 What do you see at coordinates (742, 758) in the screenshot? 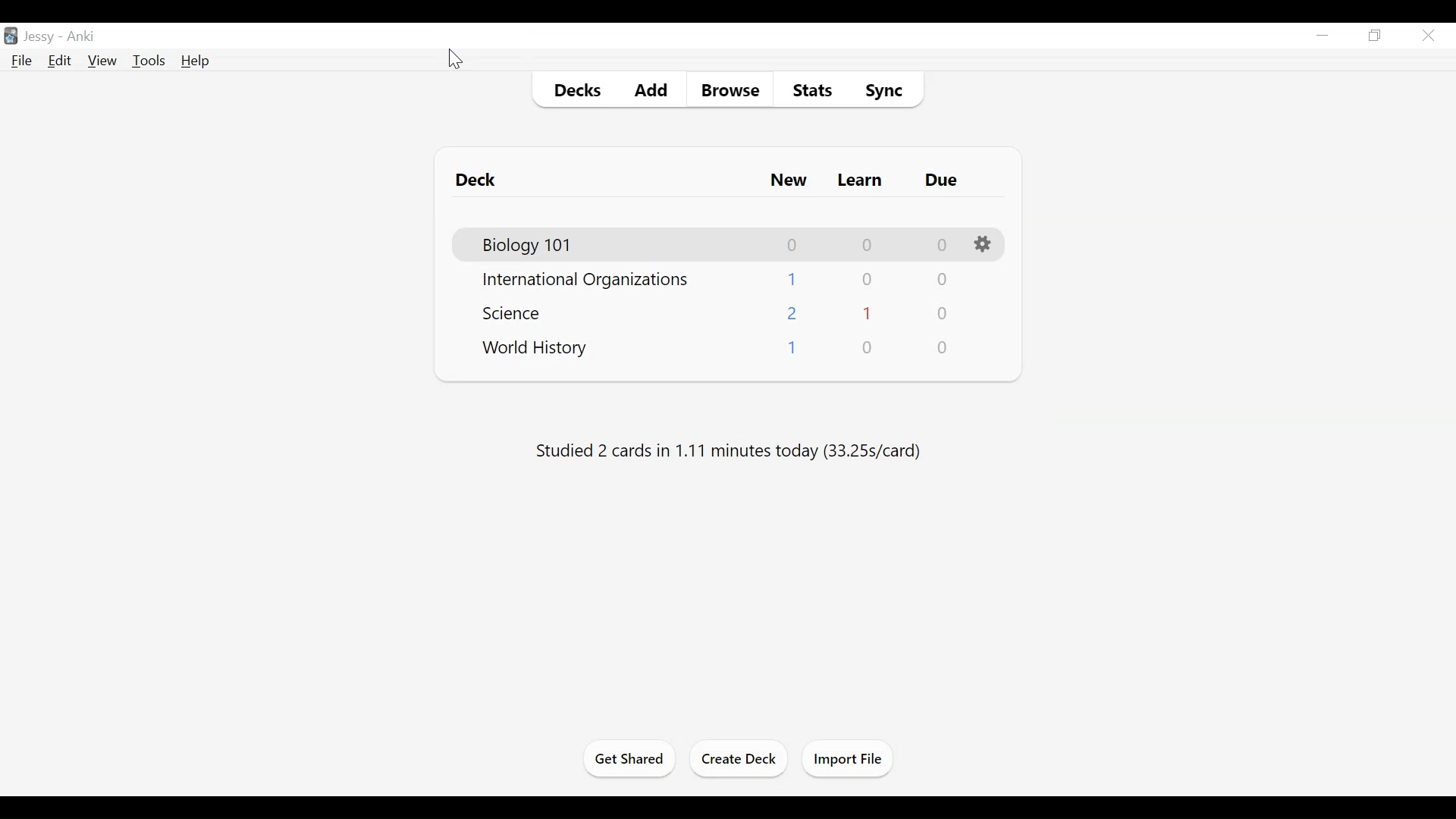
I see `Create Deck` at bounding box center [742, 758].